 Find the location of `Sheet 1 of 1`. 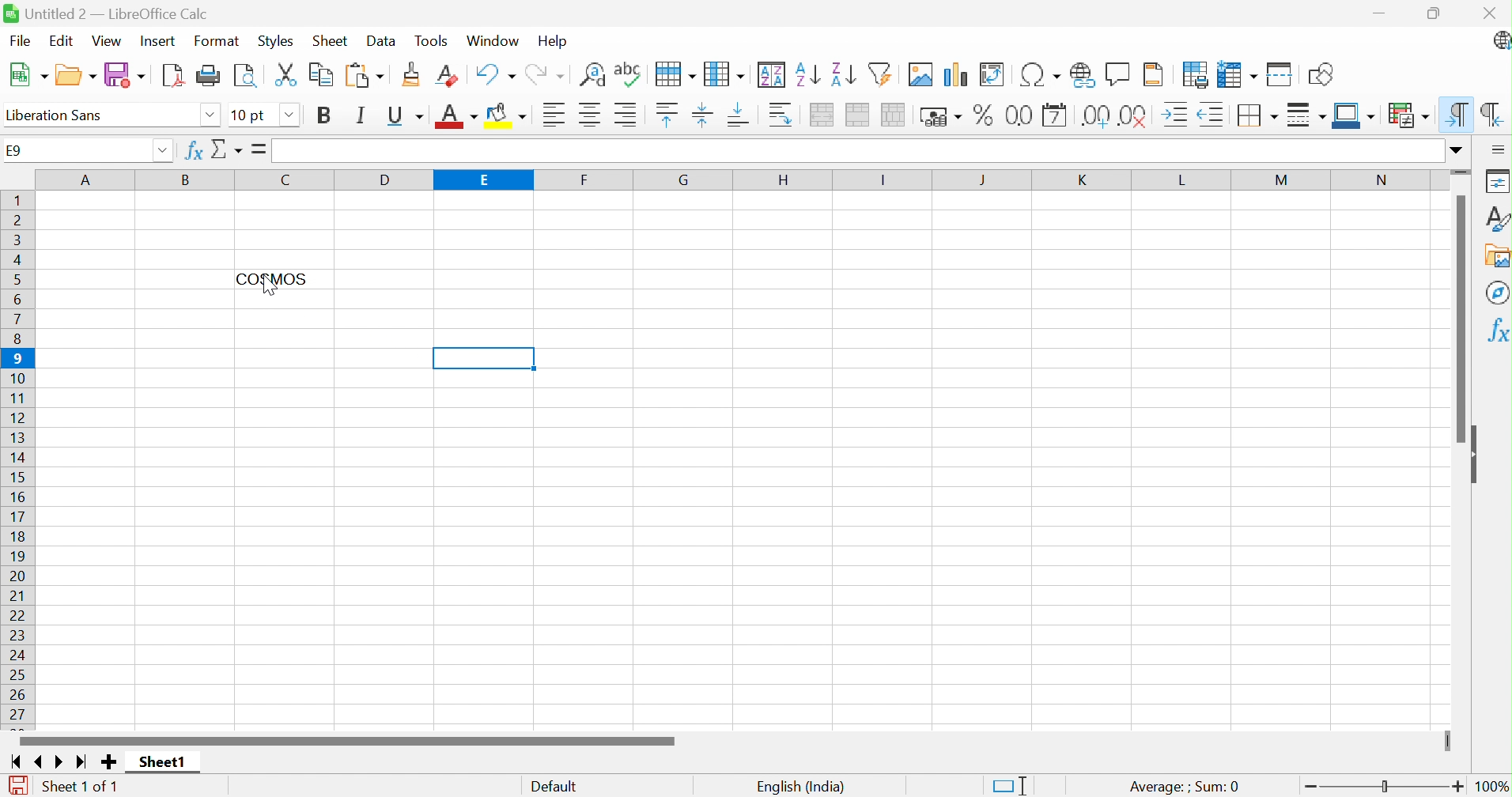

Sheet 1 of 1 is located at coordinates (81, 788).